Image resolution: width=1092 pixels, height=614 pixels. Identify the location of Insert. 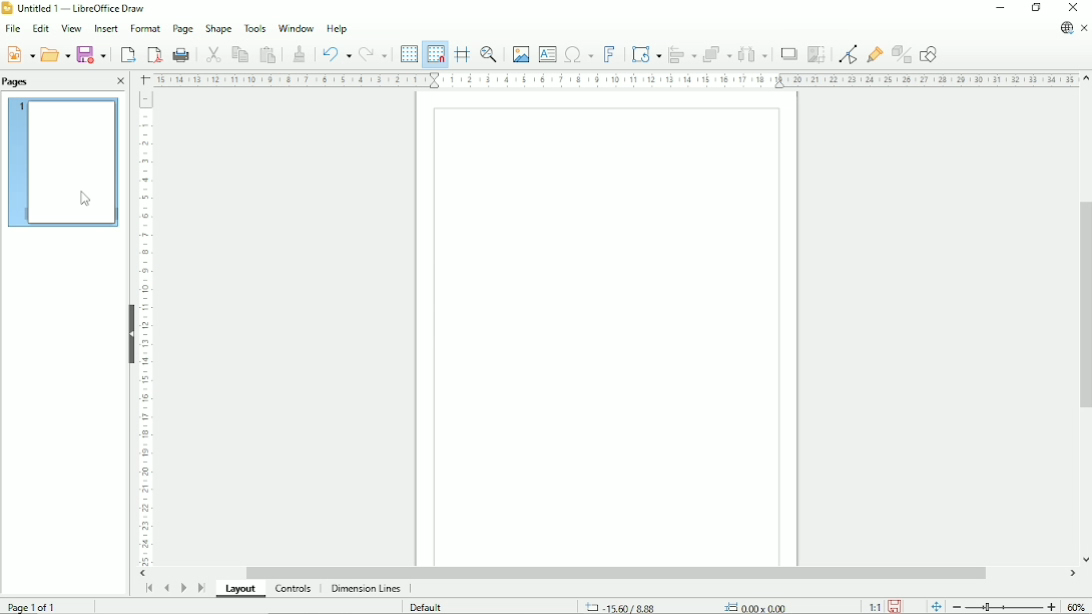
(104, 29).